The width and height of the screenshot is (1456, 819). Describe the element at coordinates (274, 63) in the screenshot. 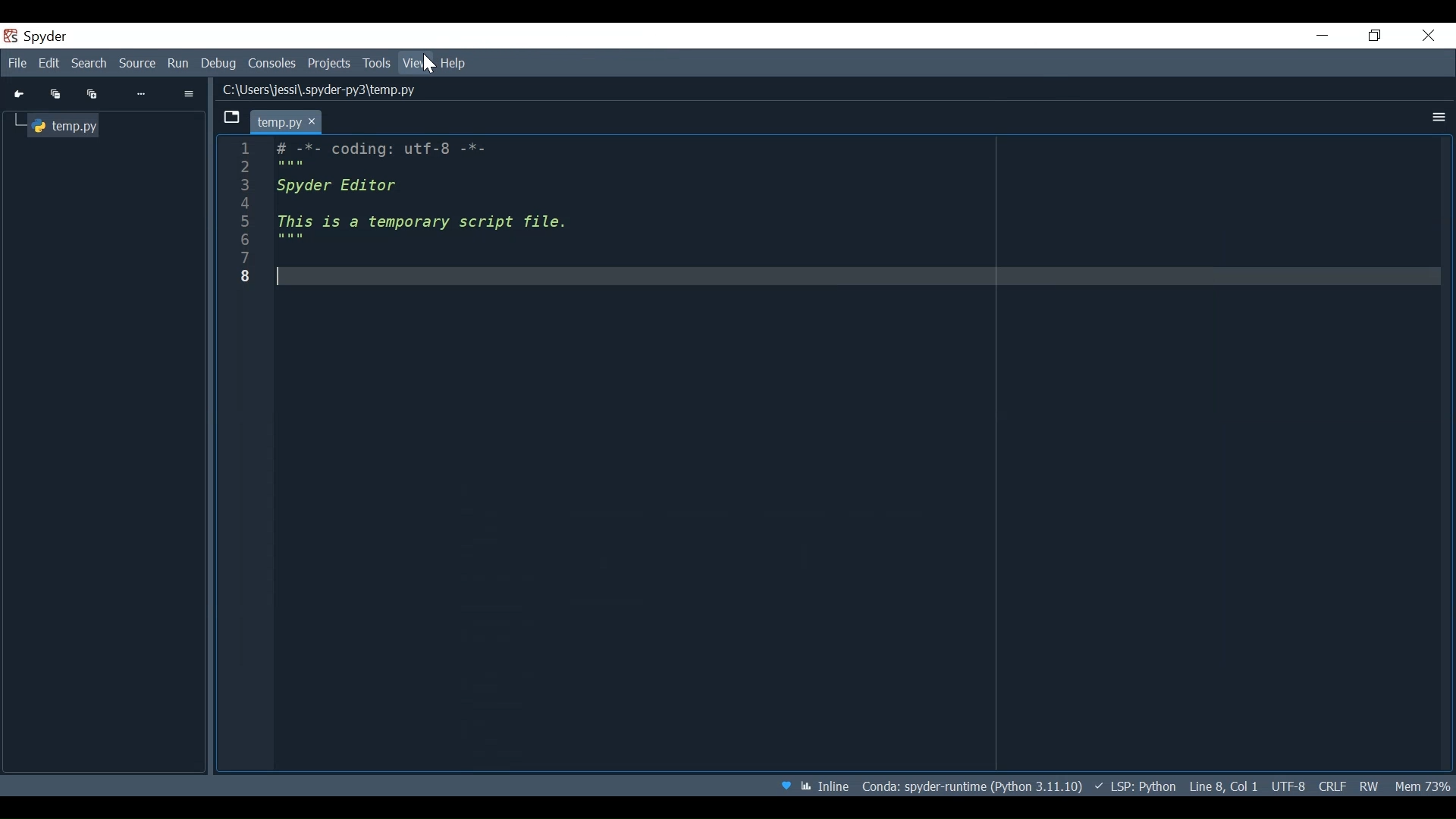

I see `Console` at that location.